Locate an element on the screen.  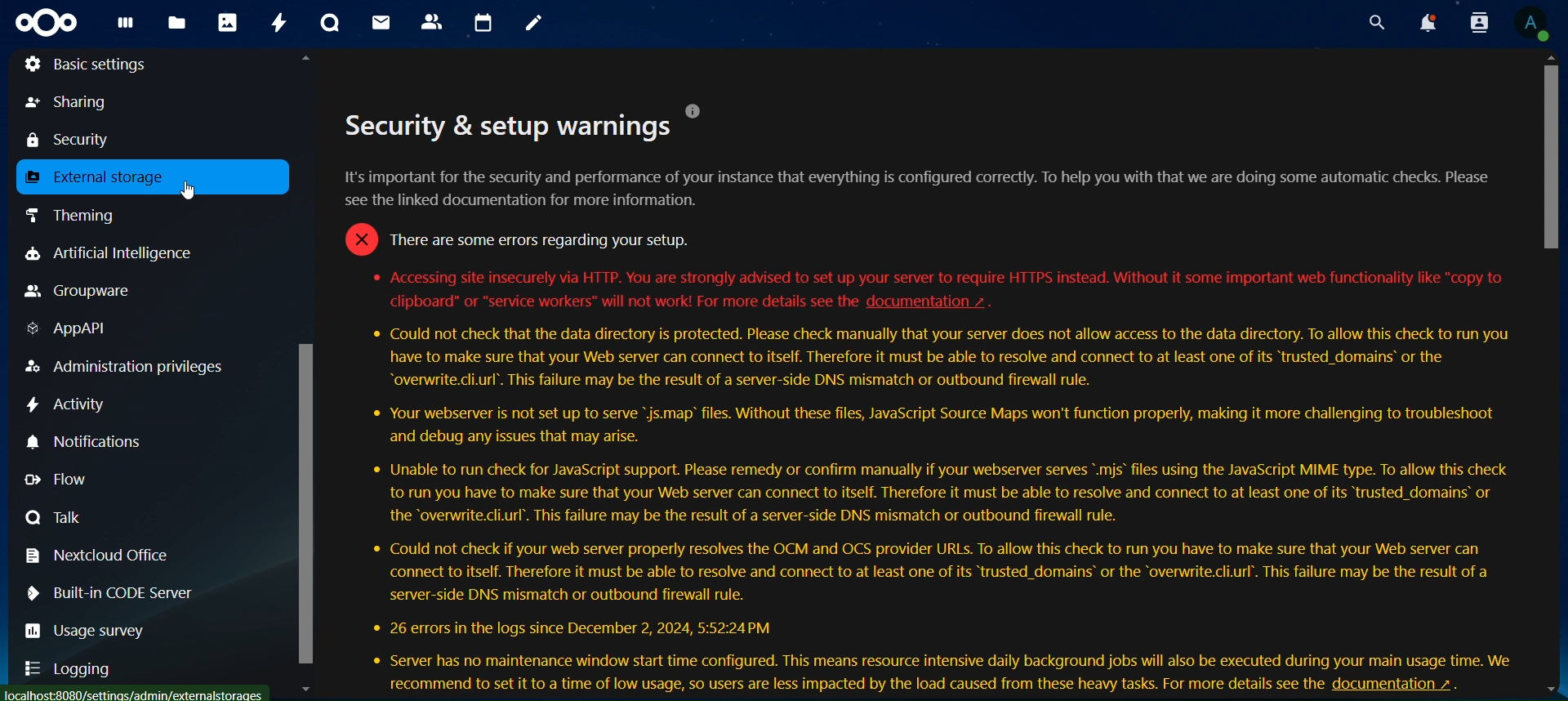
artificial intelligence is located at coordinates (109, 255).